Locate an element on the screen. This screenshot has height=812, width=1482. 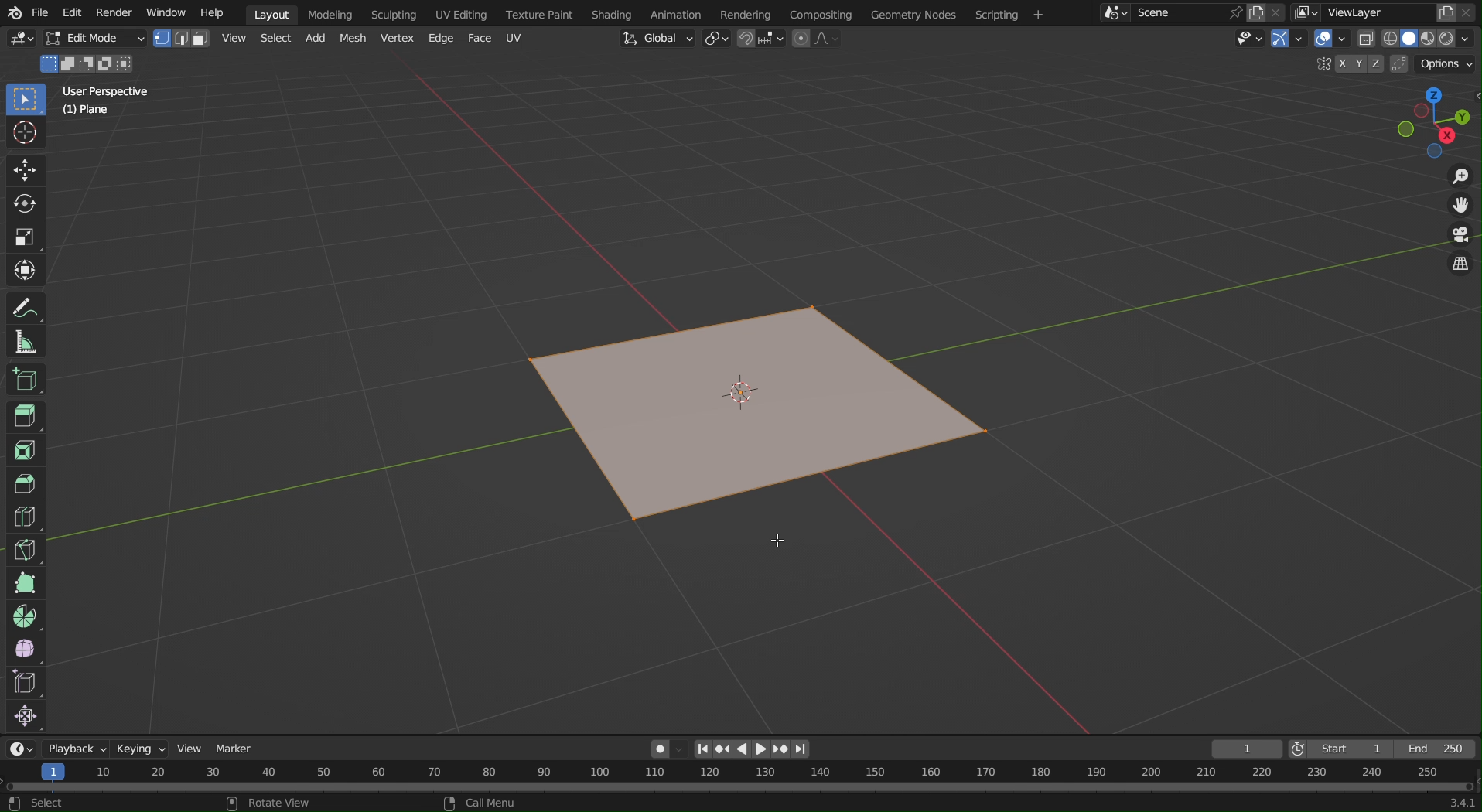
Toggle View is located at coordinates (1460, 266).